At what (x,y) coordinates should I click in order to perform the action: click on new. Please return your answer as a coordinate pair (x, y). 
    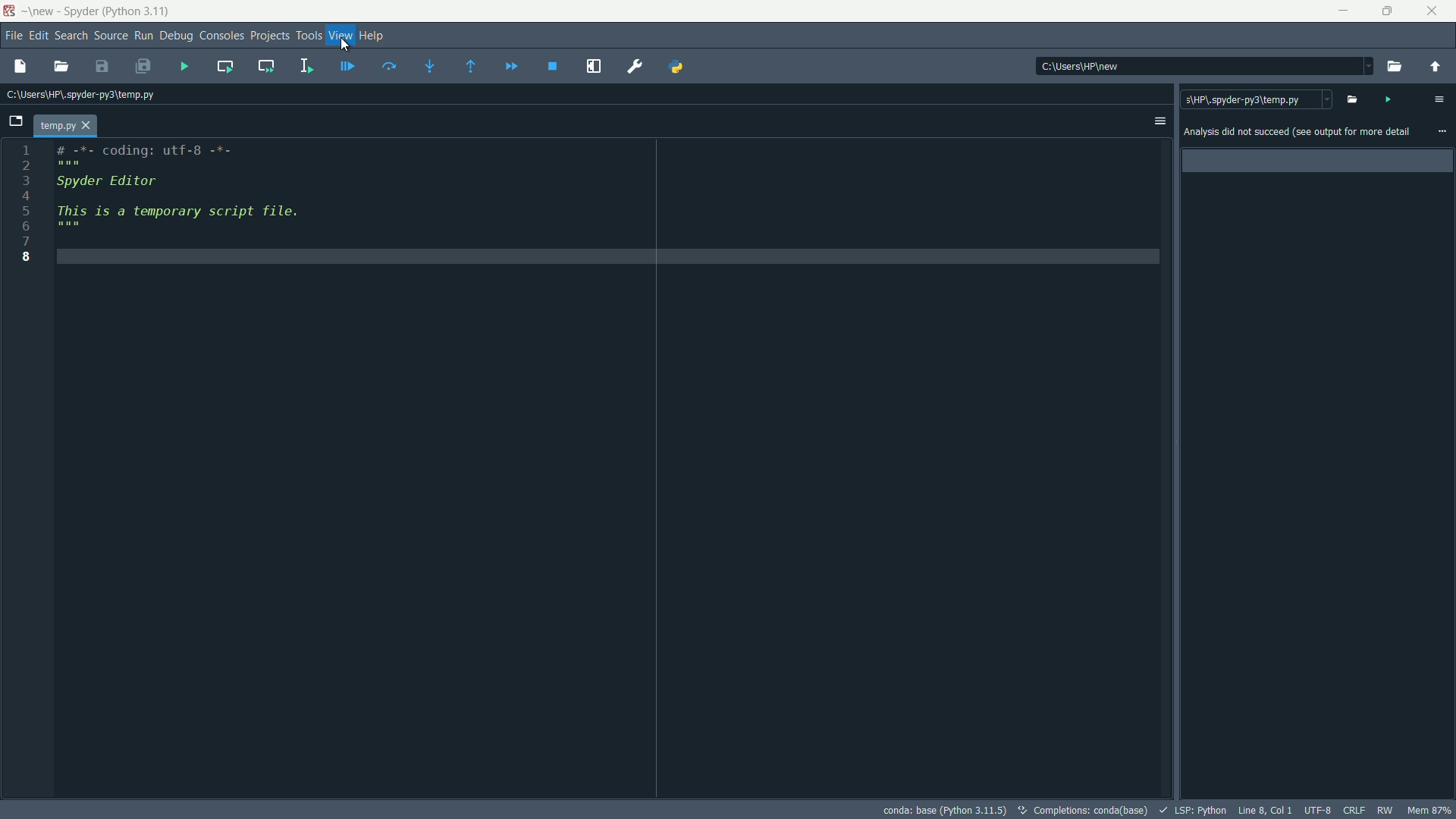
    Looking at the image, I should click on (42, 12).